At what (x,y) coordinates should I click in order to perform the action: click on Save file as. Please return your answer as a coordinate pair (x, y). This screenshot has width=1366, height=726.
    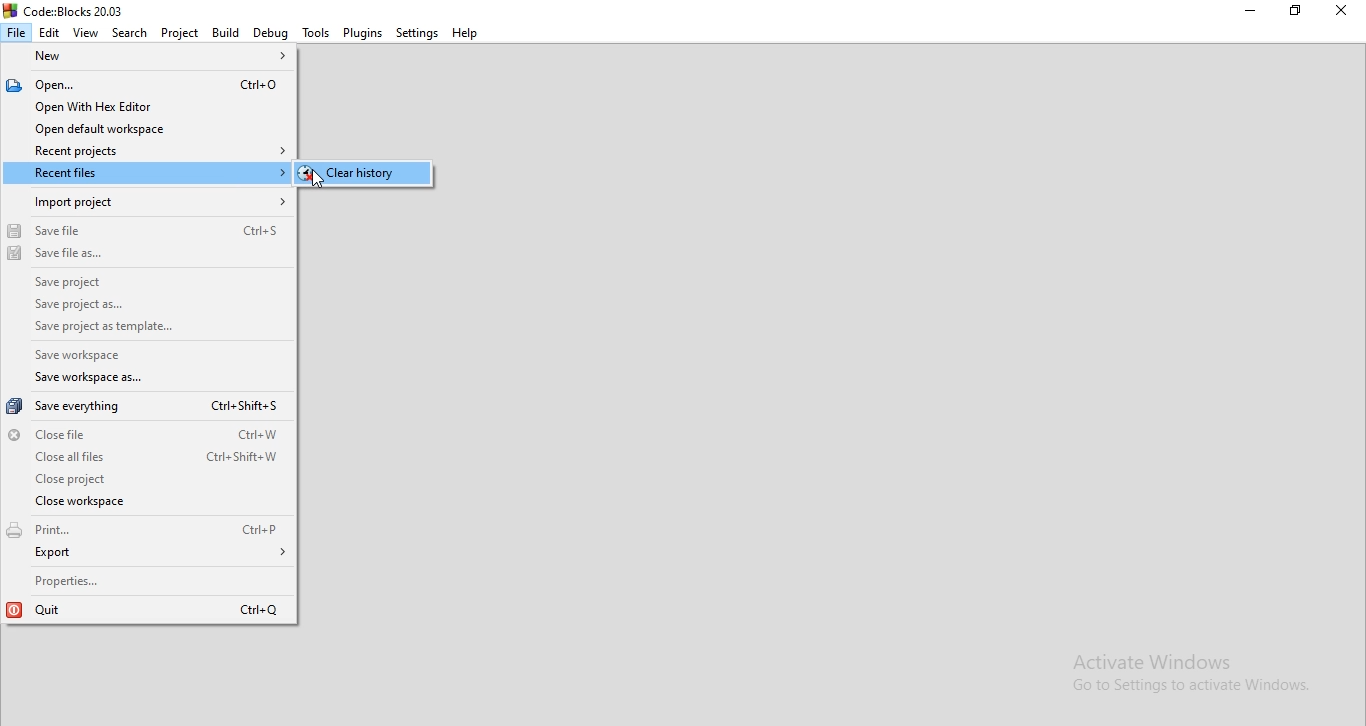
    Looking at the image, I should click on (150, 261).